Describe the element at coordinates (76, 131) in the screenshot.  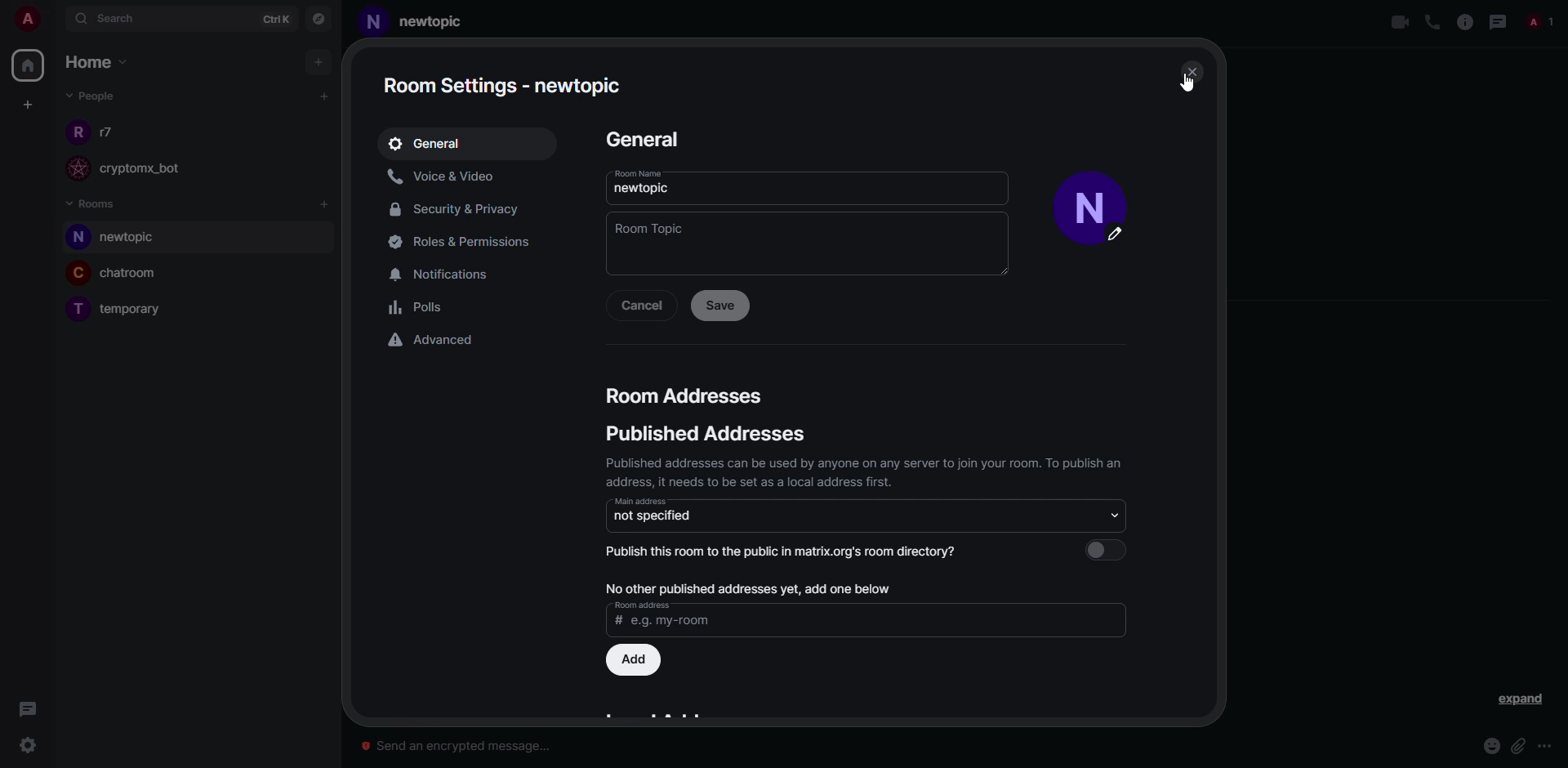
I see `profile image` at that location.